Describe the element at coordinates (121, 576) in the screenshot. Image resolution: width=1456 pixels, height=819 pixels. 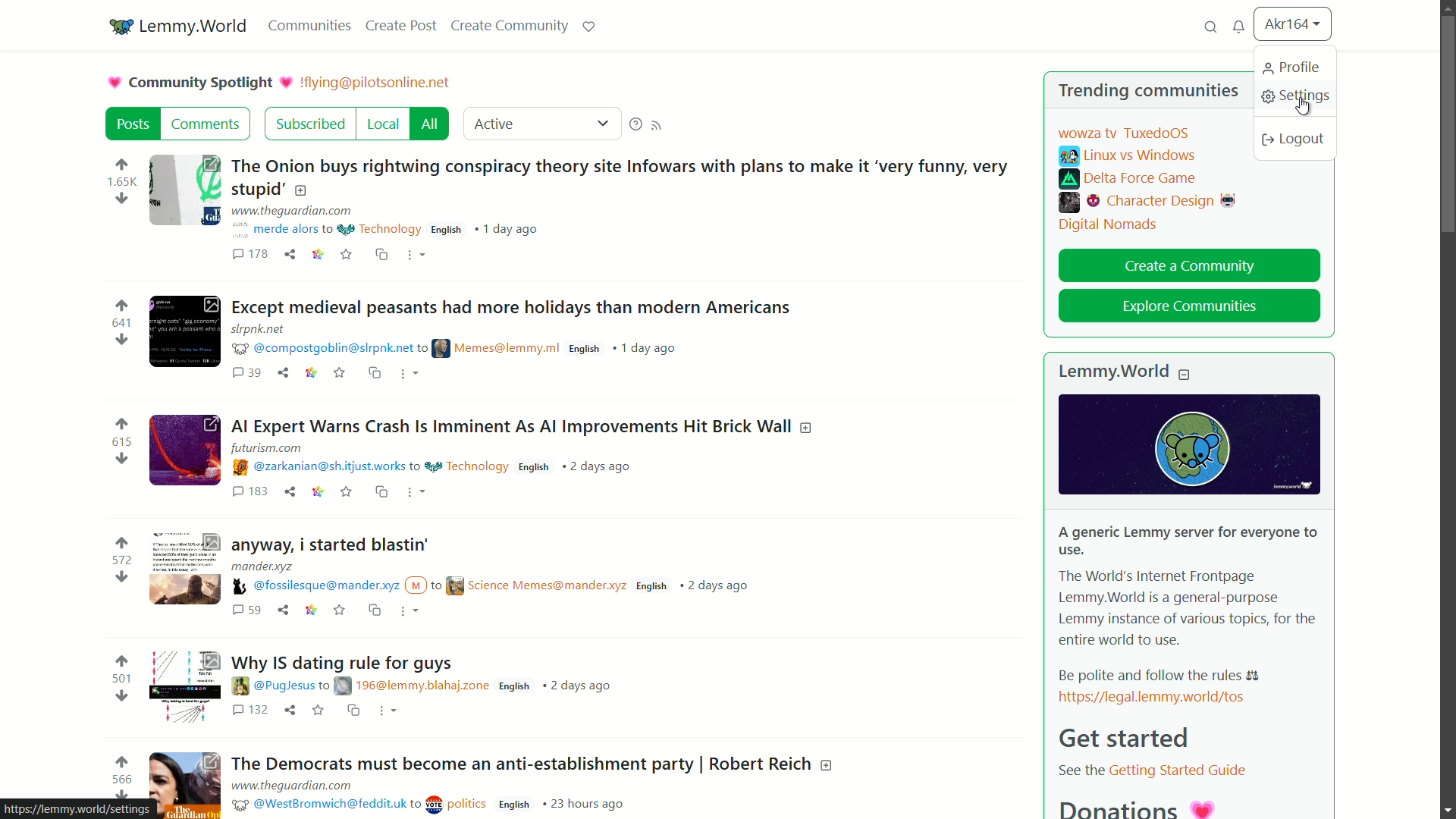
I see `downvote` at that location.